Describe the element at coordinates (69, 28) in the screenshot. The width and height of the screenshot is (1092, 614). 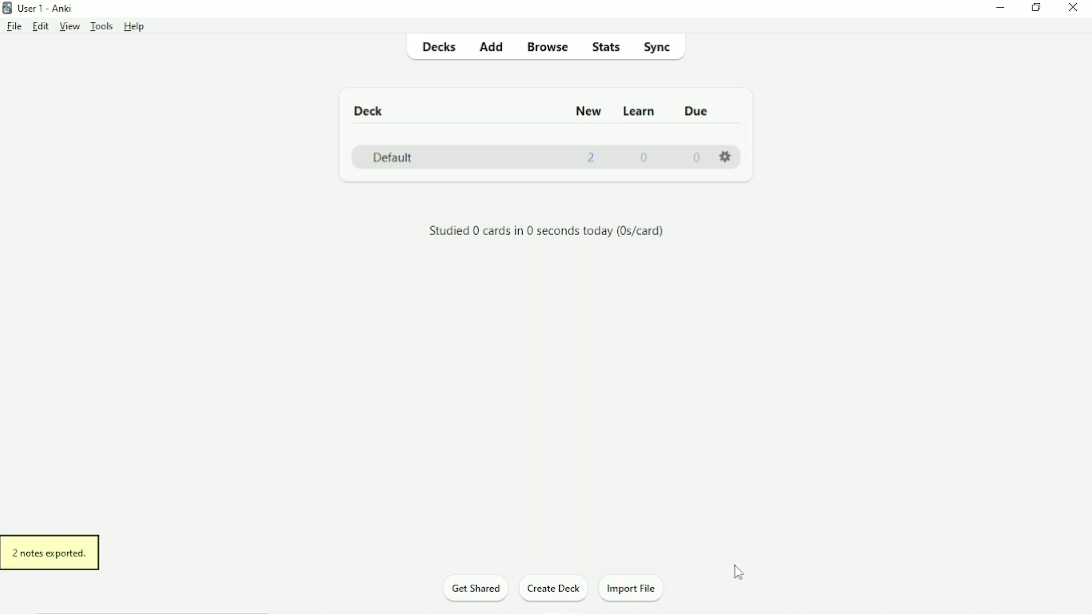
I see `View` at that location.